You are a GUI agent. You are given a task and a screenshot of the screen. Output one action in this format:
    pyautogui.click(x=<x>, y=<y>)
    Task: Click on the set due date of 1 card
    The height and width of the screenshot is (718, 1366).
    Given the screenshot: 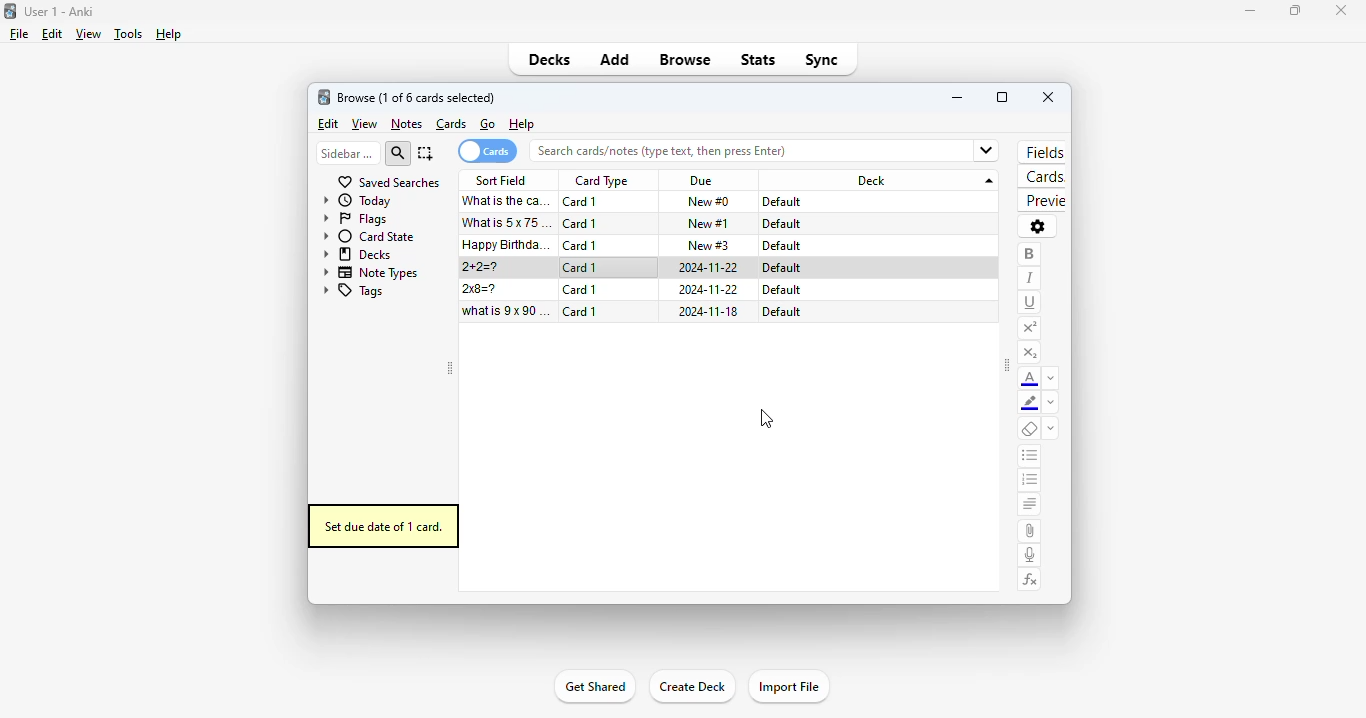 What is the action you would take?
    pyautogui.click(x=383, y=526)
    